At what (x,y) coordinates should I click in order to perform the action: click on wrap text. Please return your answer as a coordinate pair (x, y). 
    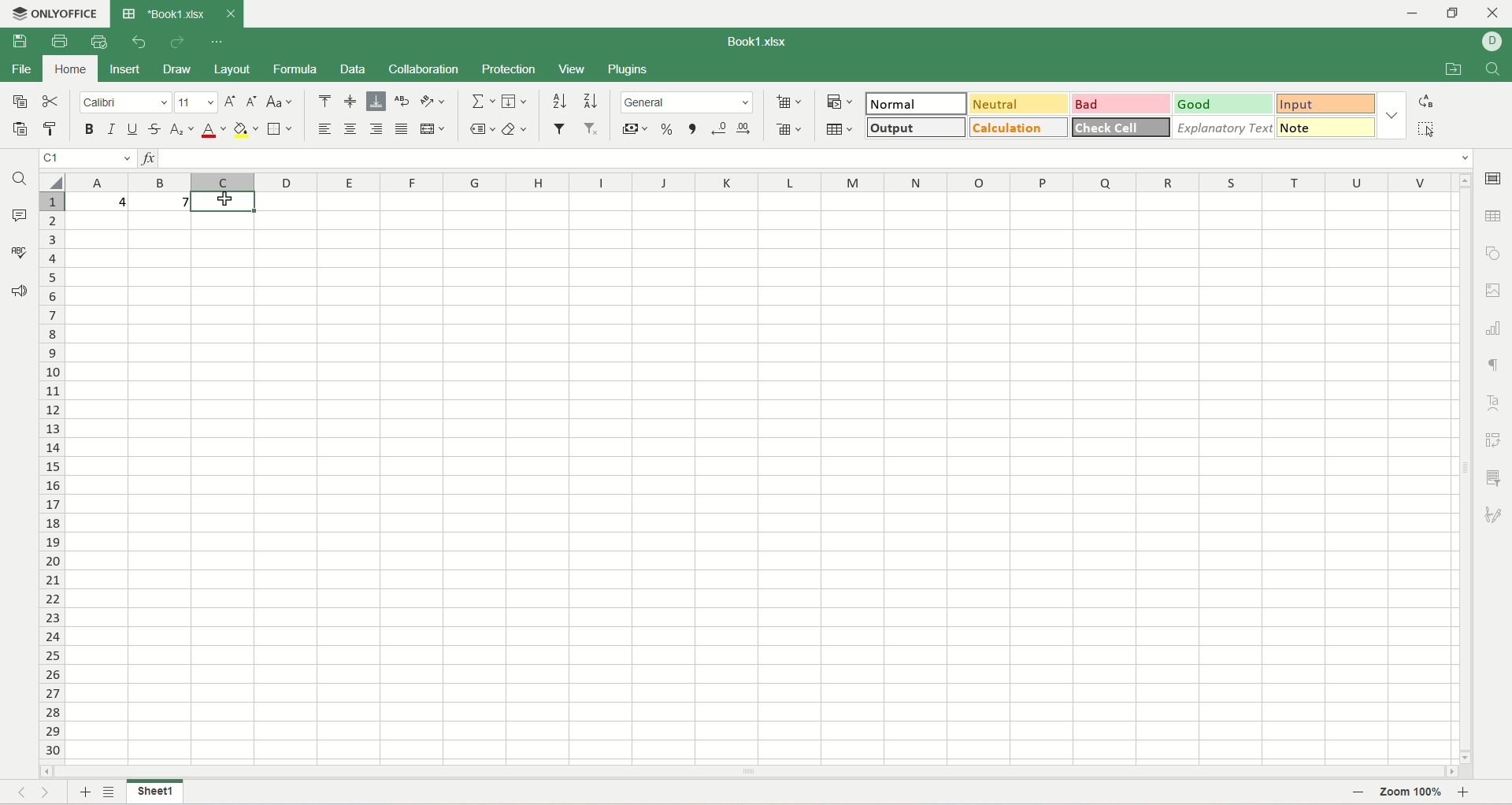
    Looking at the image, I should click on (401, 102).